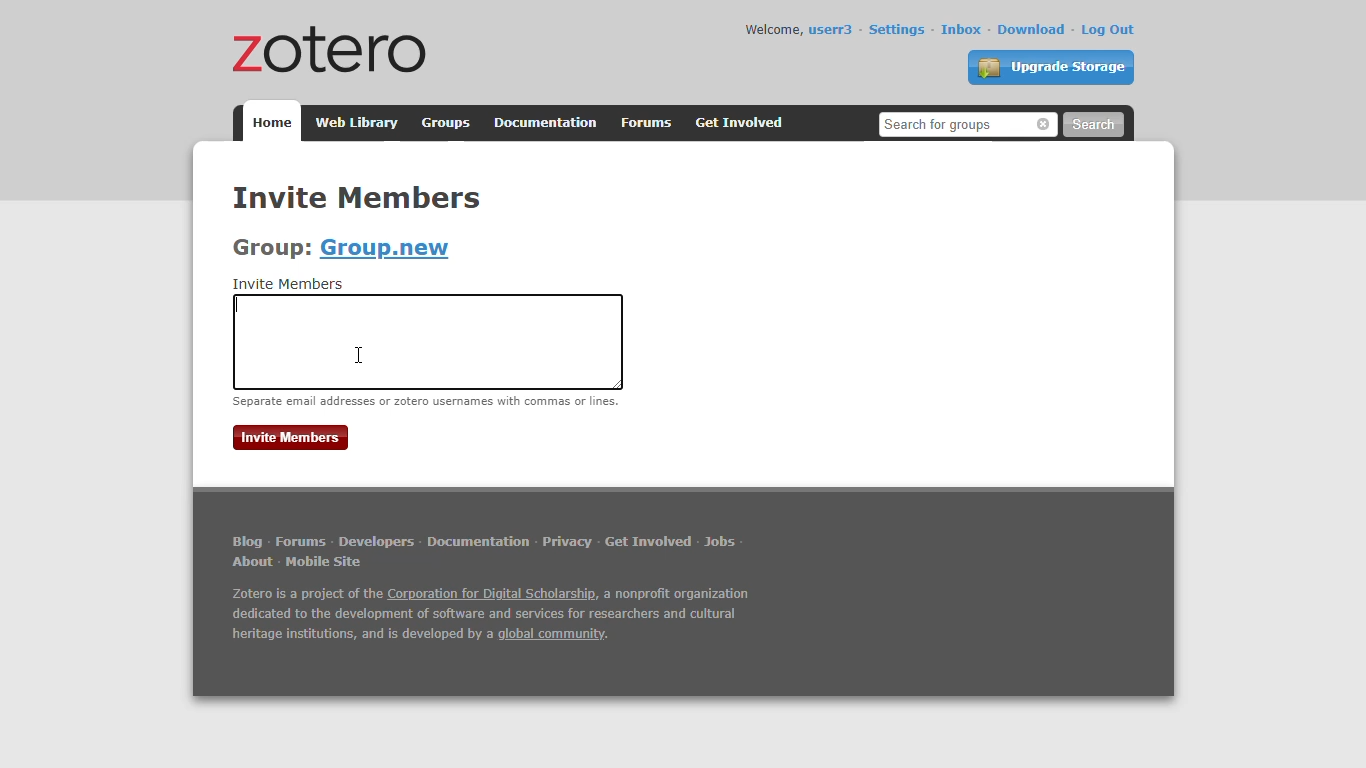 The height and width of the screenshot is (768, 1366). I want to click on typing, so click(239, 306).